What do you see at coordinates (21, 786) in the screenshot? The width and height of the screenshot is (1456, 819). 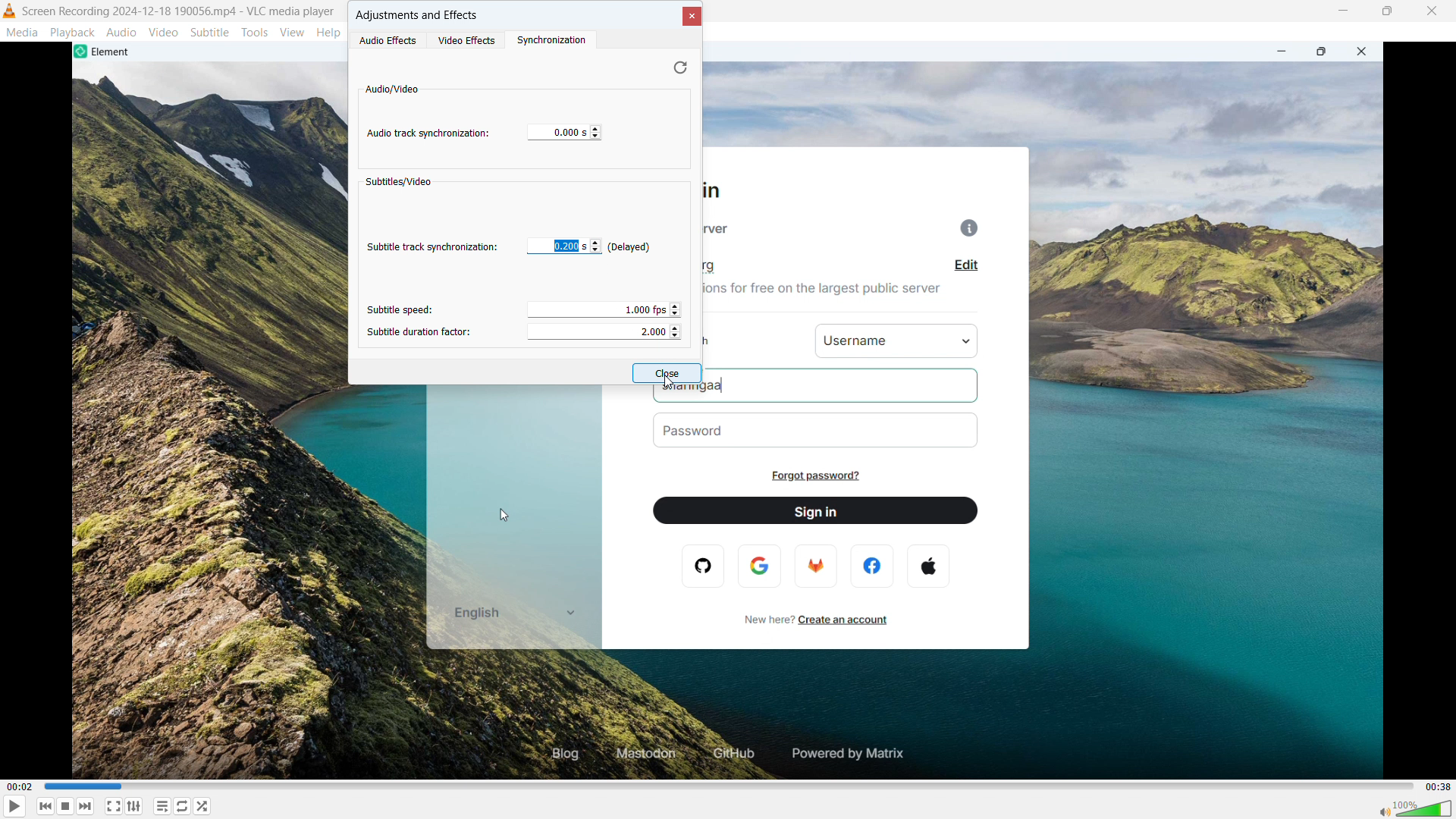 I see `time elapsed-00.02` at bounding box center [21, 786].